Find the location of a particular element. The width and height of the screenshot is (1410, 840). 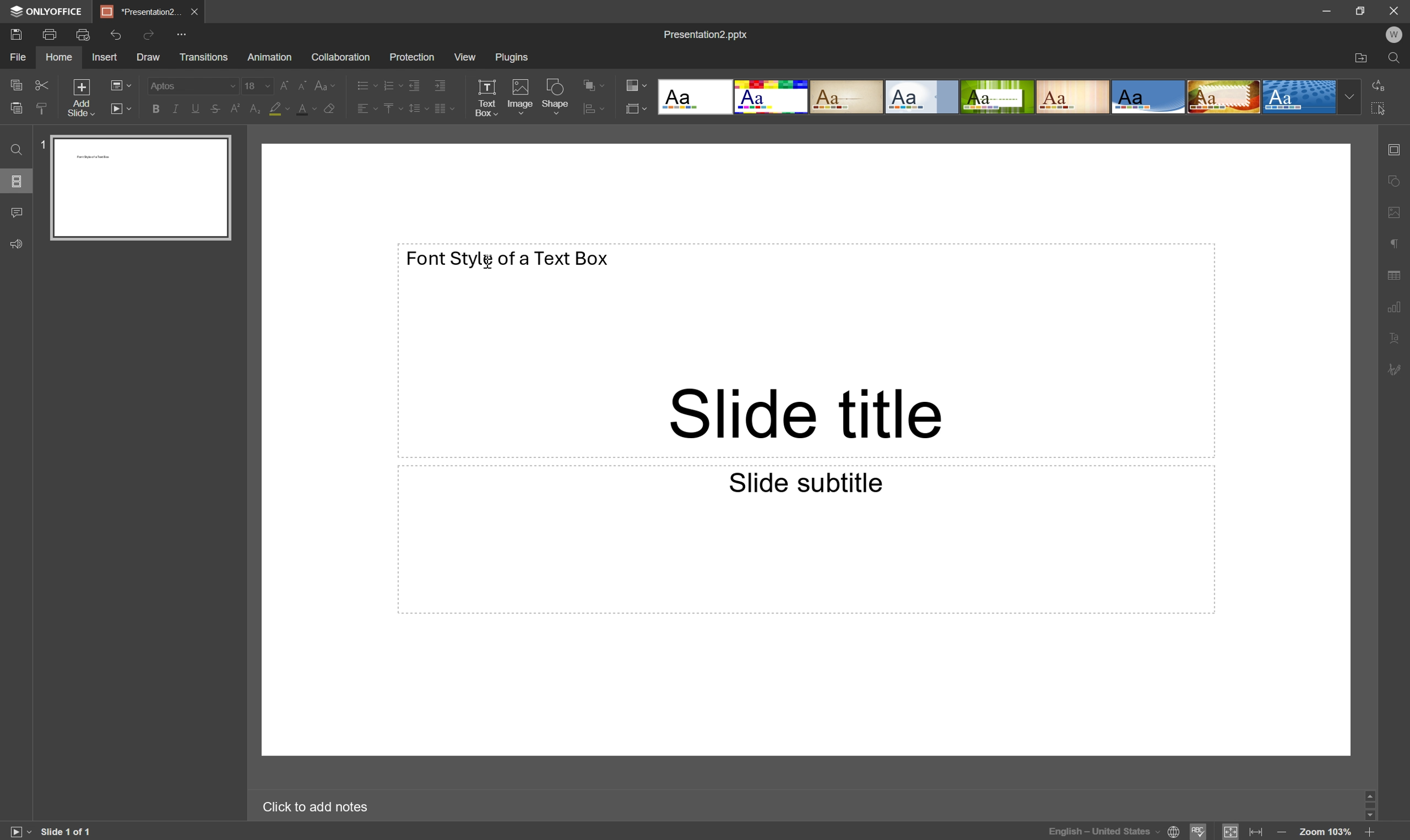

cursor is located at coordinates (488, 263).